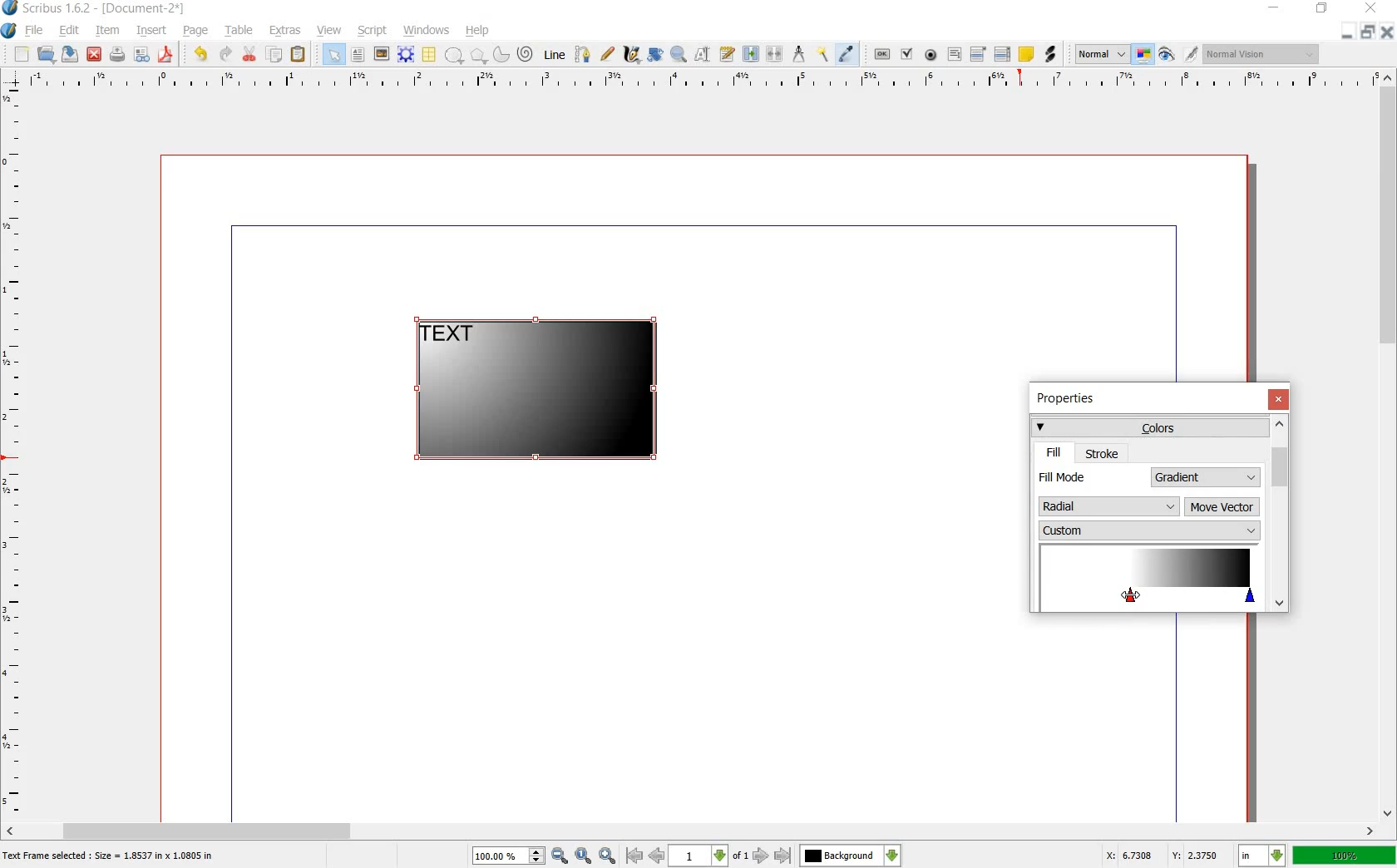 Image resolution: width=1397 pixels, height=868 pixels. What do you see at coordinates (1192, 55) in the screenshot?
I see `edit in preview mode` at bounding box center [1192, 55].